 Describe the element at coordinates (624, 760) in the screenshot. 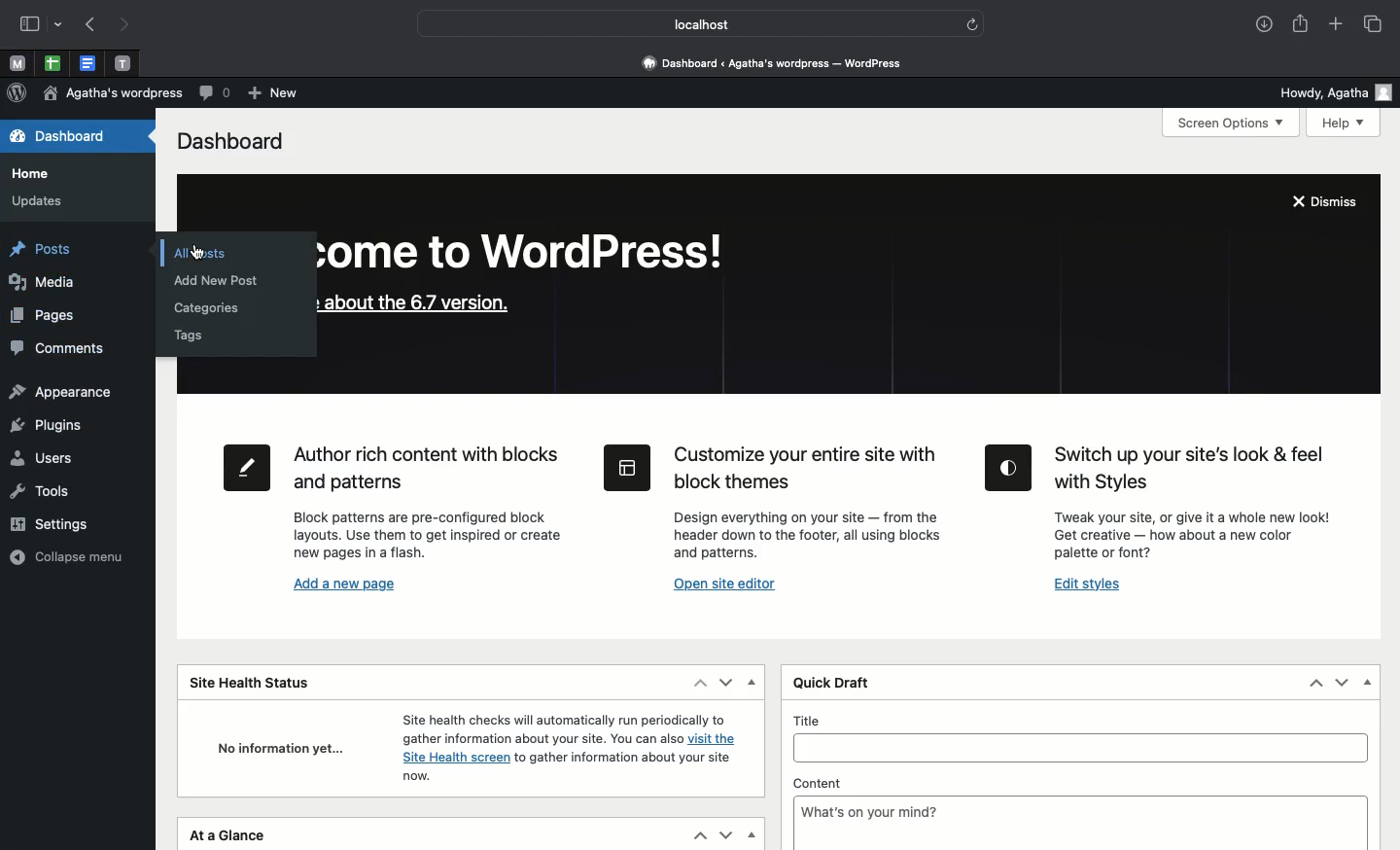

I see `to gather information about your site` at that location.